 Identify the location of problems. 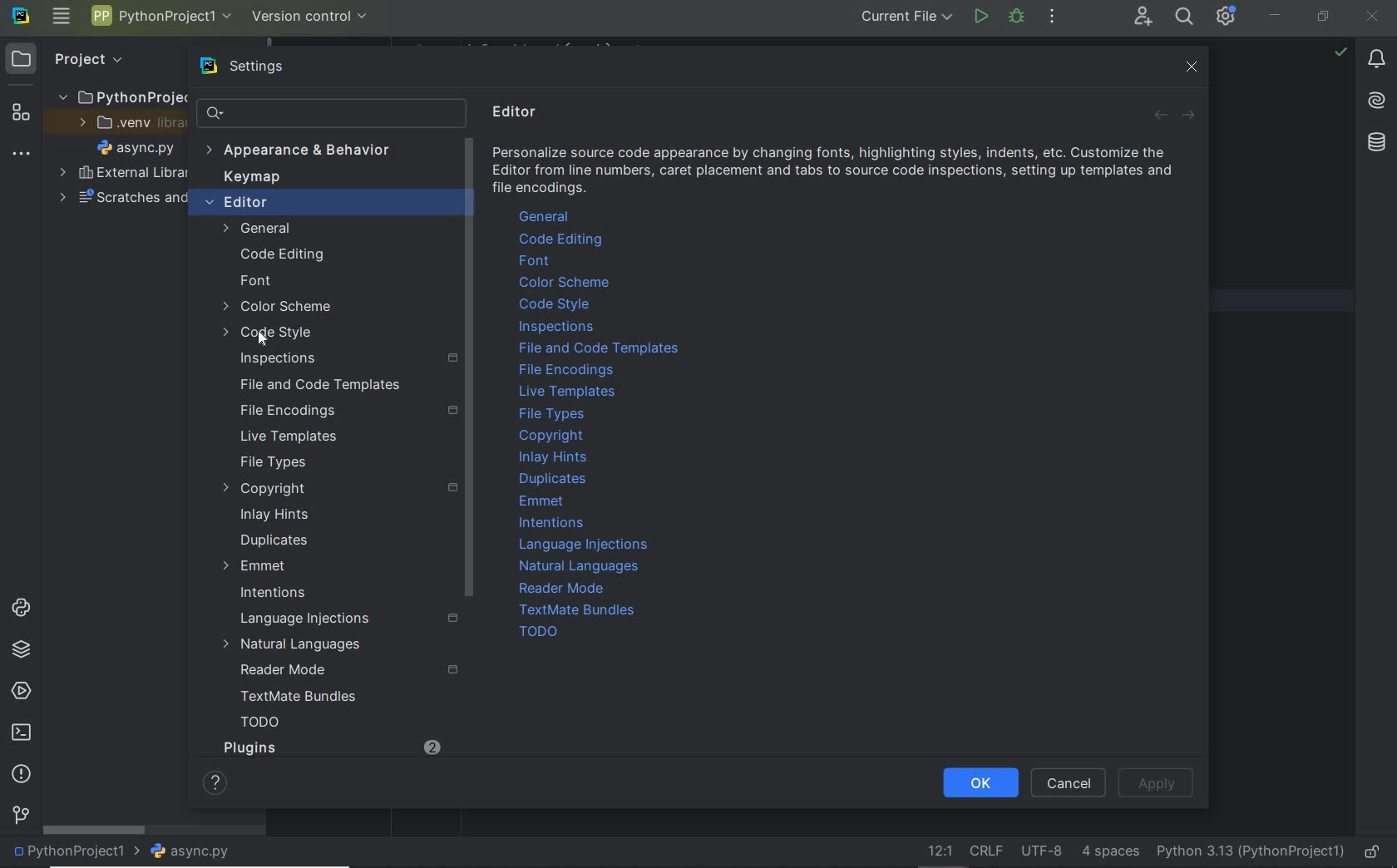
(21, 774).